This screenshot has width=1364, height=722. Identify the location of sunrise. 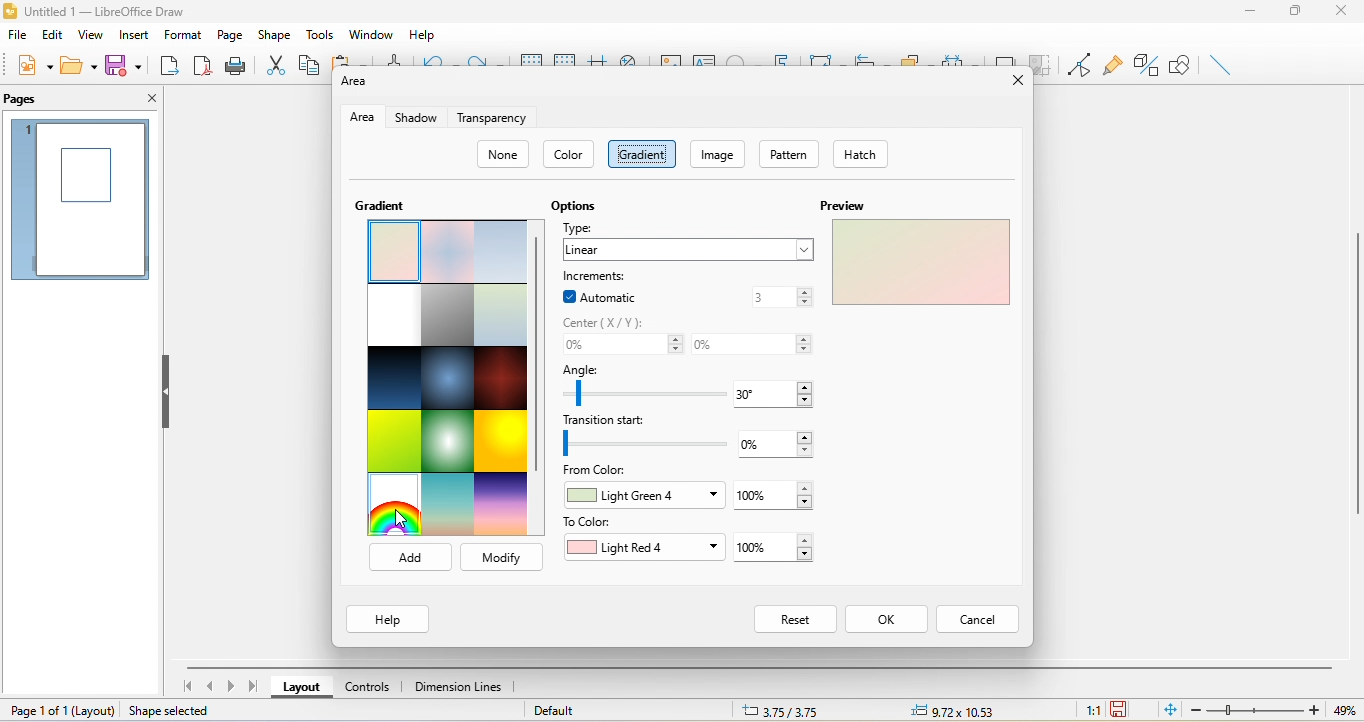
(449, 508).